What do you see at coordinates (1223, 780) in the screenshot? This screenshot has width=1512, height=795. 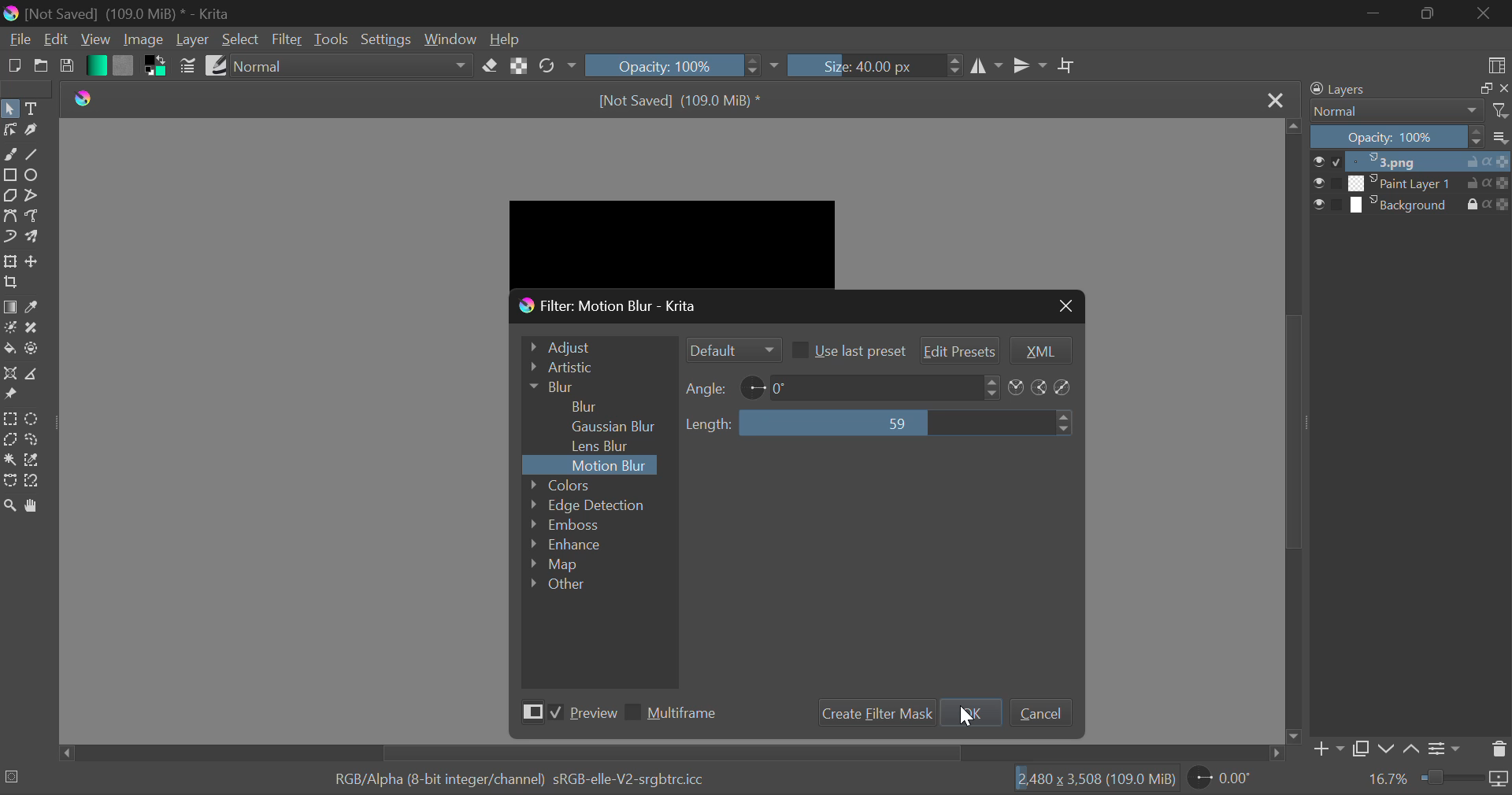 I see `0.00` at bounding box center [1223, 780].